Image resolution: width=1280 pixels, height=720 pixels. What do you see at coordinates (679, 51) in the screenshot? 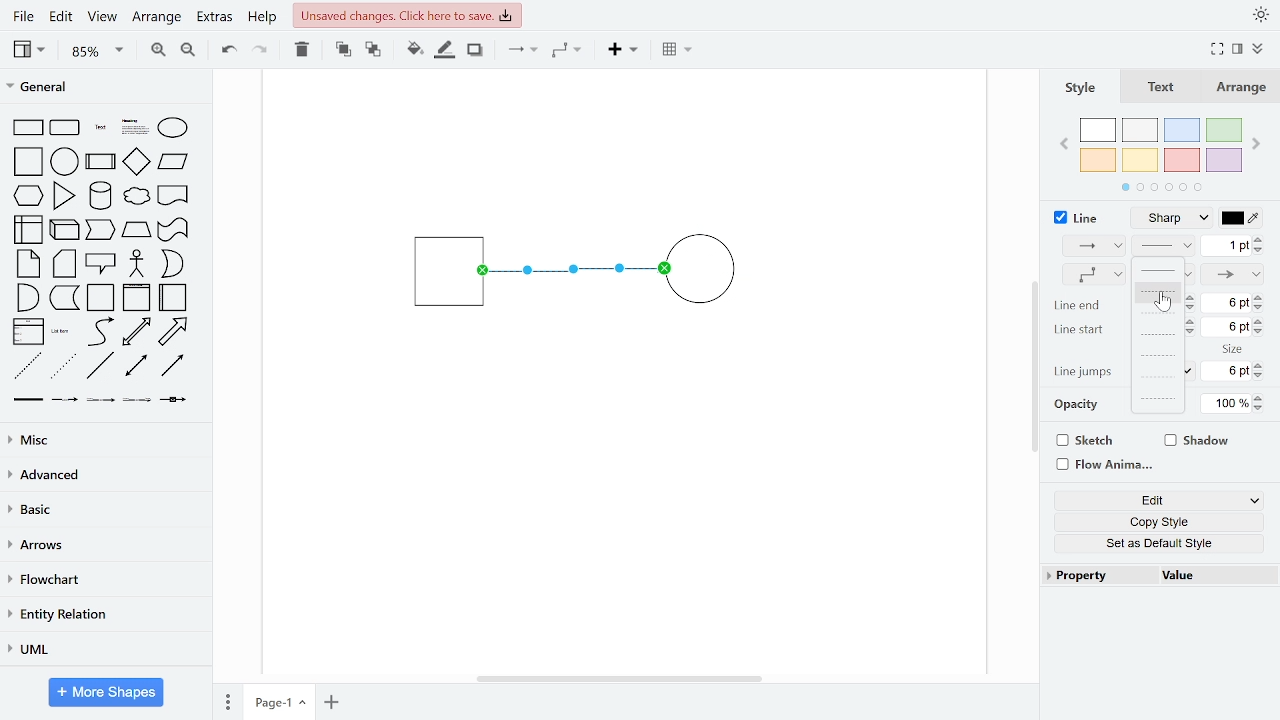
I see `table` at bounding box center [679, 51].